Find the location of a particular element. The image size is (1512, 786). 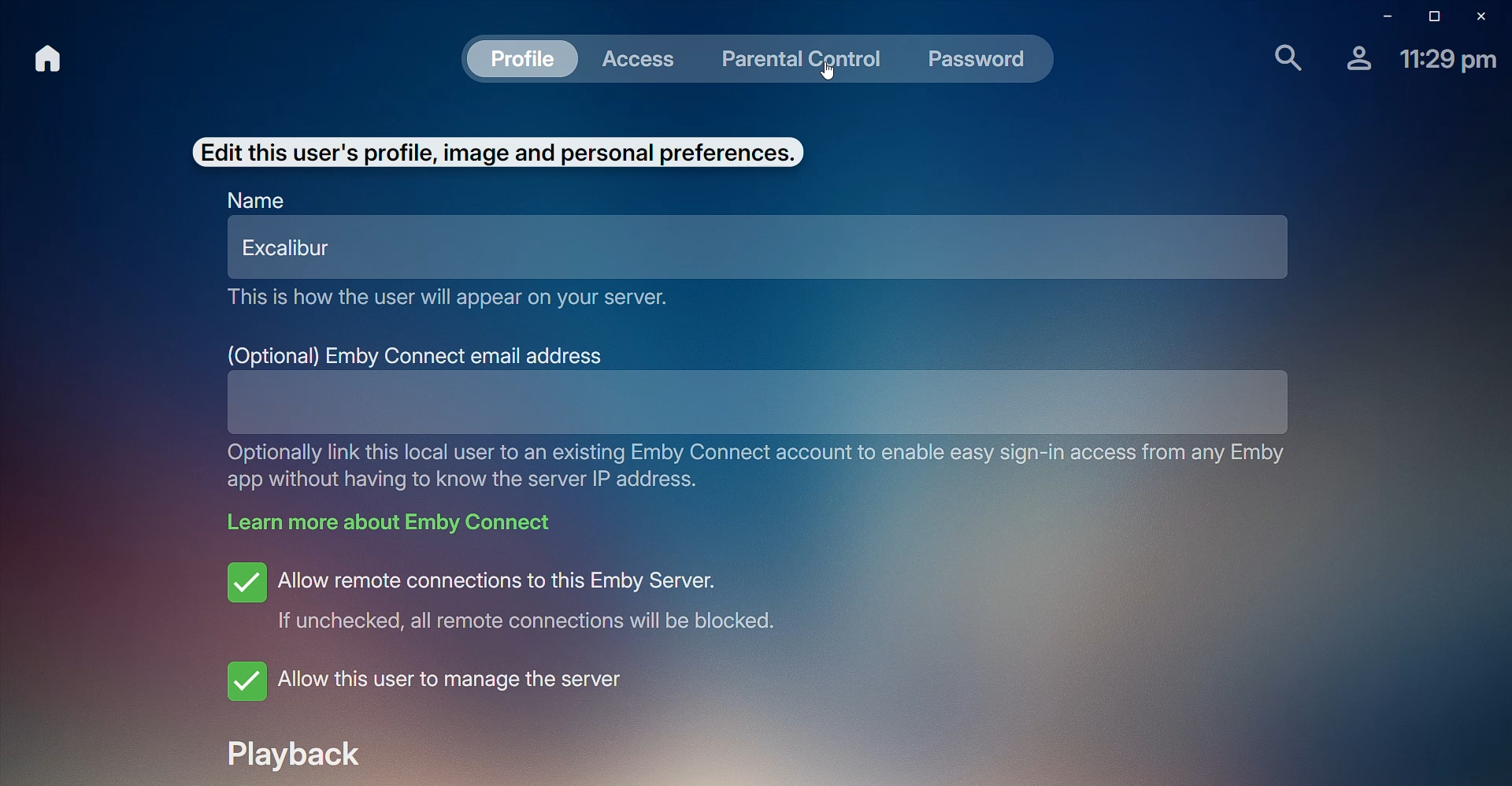

Find is located at coordinates (1280, 58).